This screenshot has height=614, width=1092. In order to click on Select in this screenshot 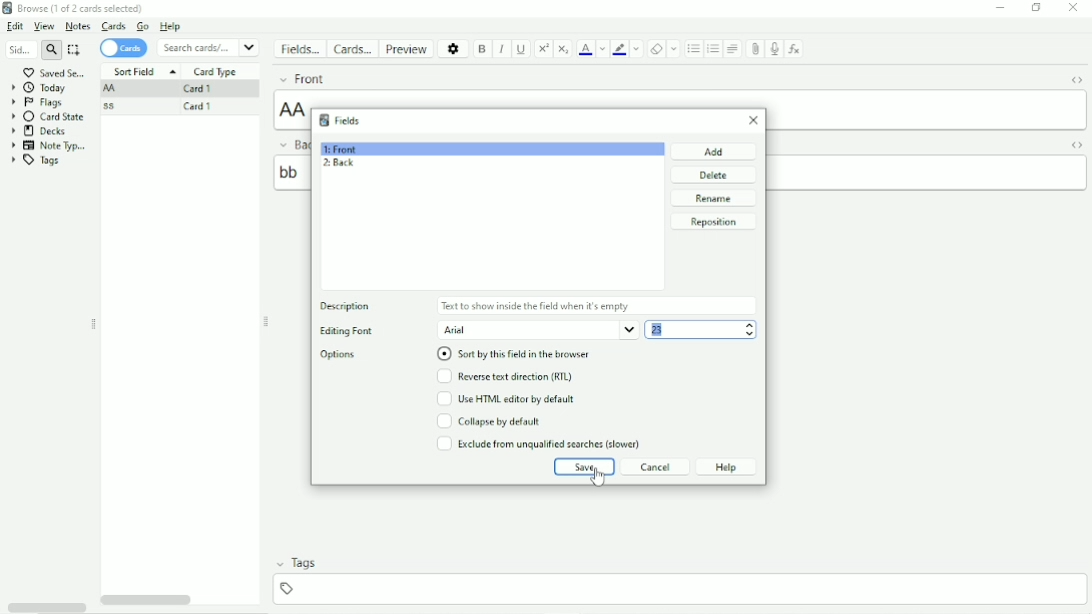, I will do `click(76, 50)`.